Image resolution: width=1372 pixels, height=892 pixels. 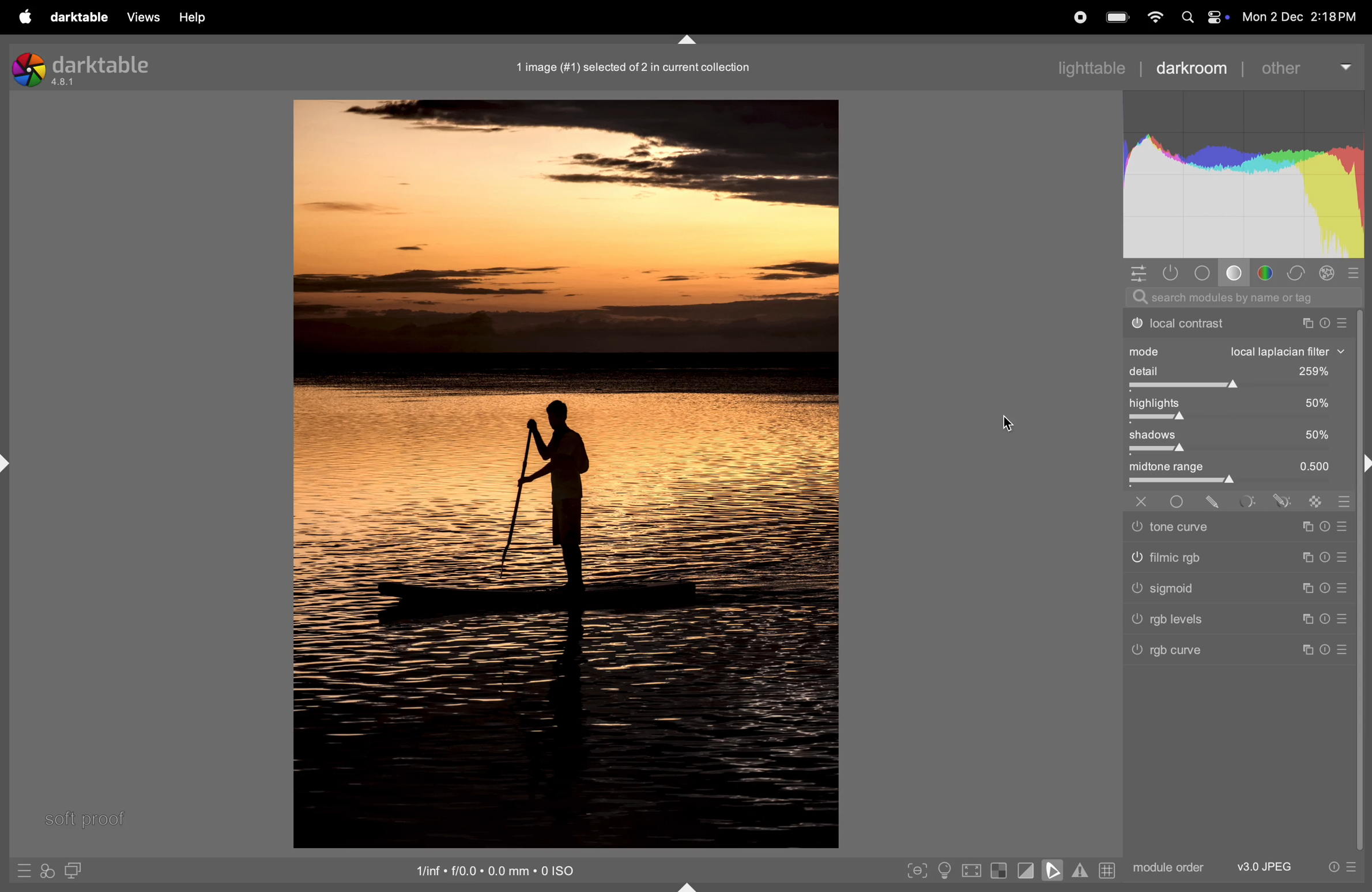 I want to click on sign , so click(x=1325, y=558).